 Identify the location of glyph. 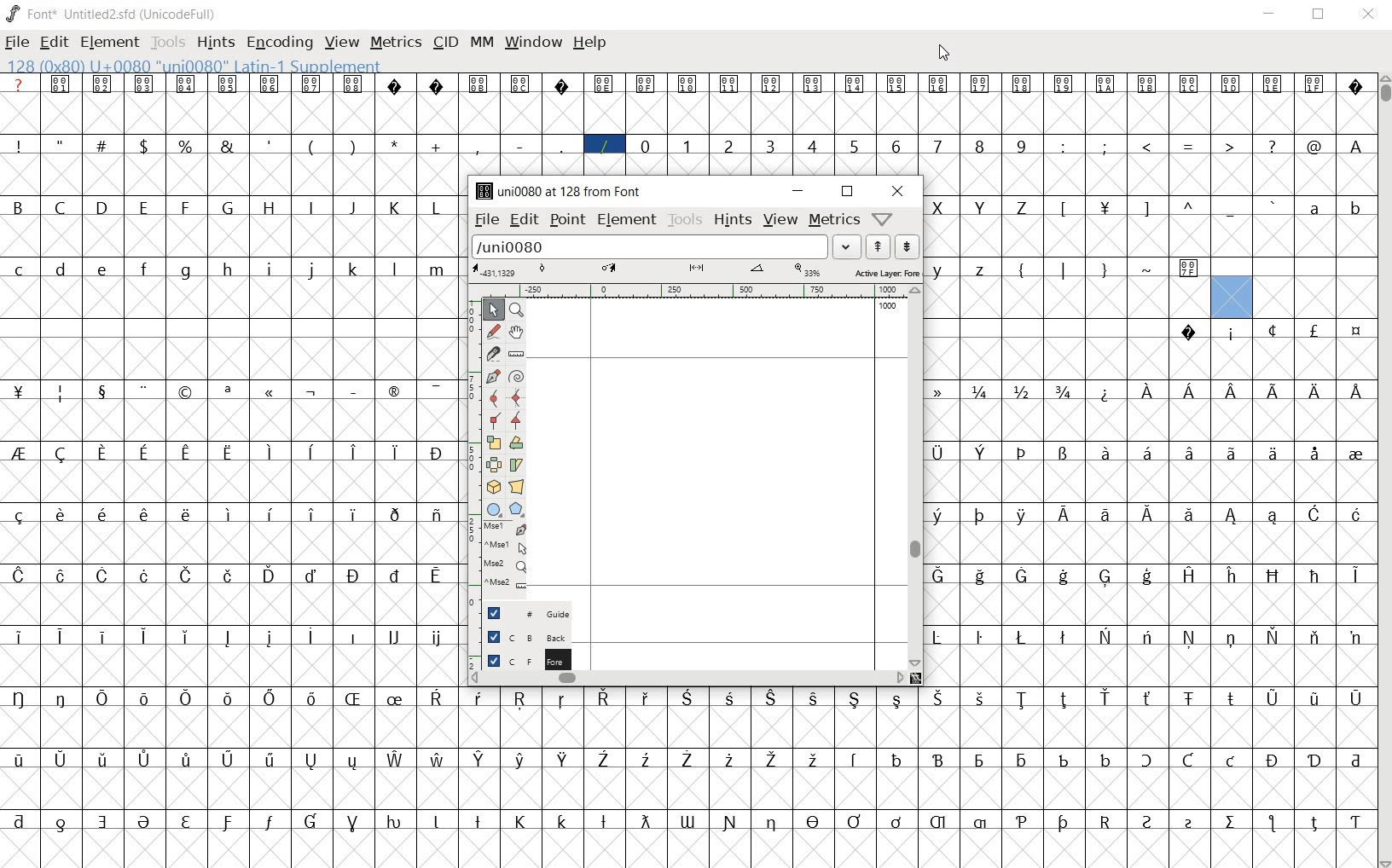
(1314, 83).